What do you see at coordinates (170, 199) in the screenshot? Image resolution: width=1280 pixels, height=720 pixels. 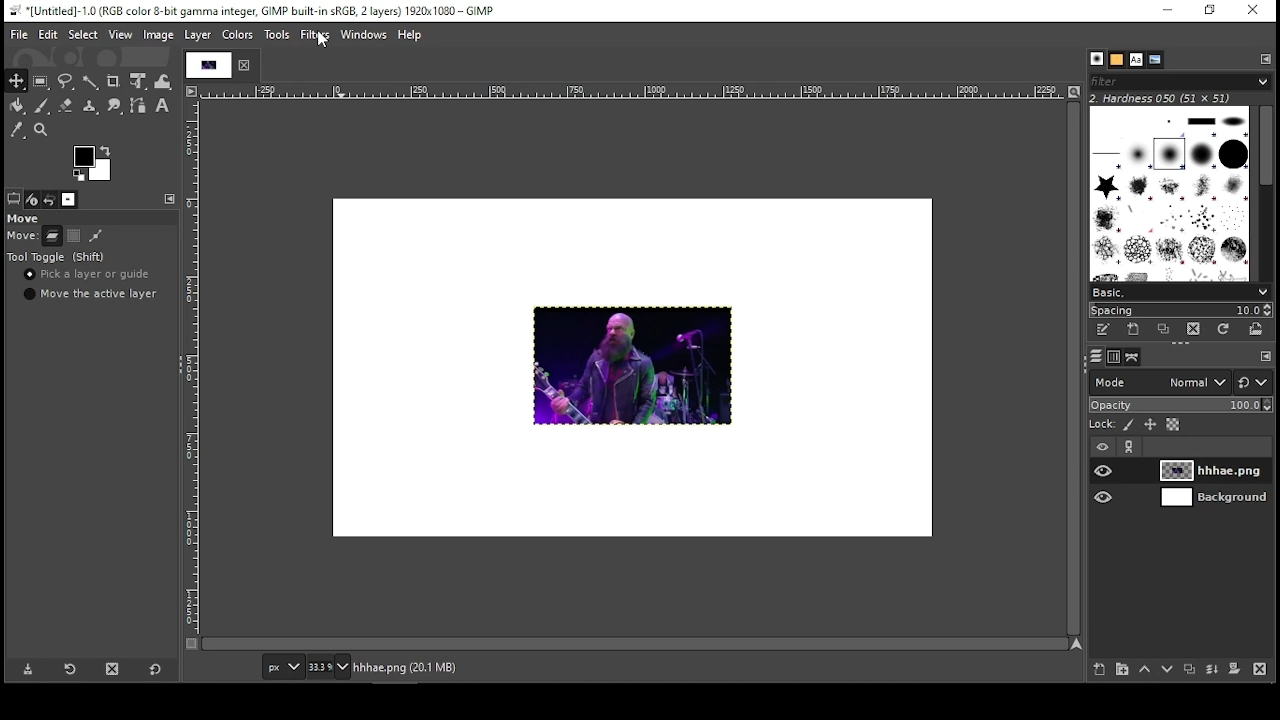 I see `To open Tab menu` at bounding box center [170, 199].